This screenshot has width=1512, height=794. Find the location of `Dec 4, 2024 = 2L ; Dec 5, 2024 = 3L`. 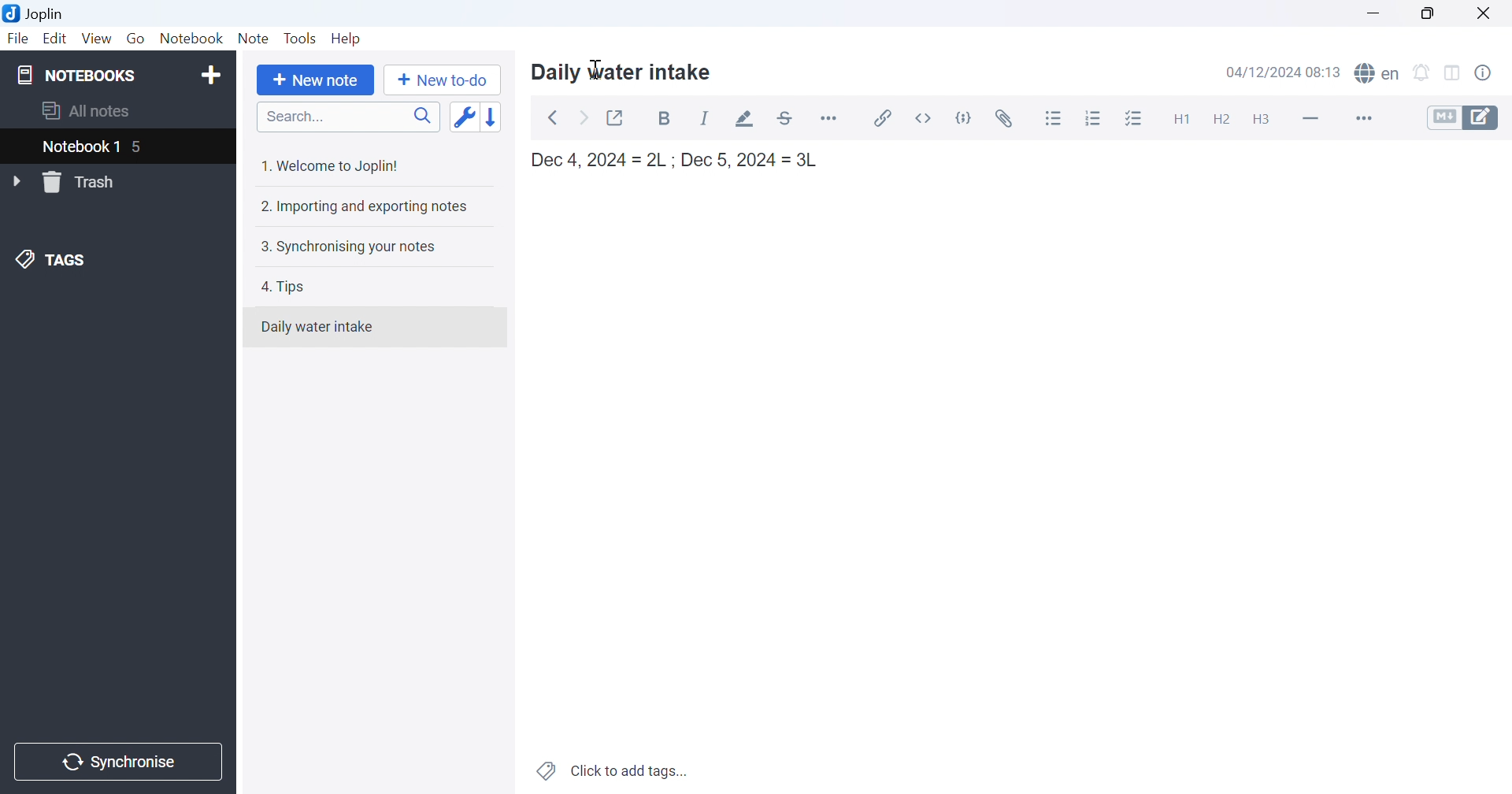

Dec 4, 2024 = 2L ; Dec 5, 2024 = 3L is located at coordinates (681, 160).